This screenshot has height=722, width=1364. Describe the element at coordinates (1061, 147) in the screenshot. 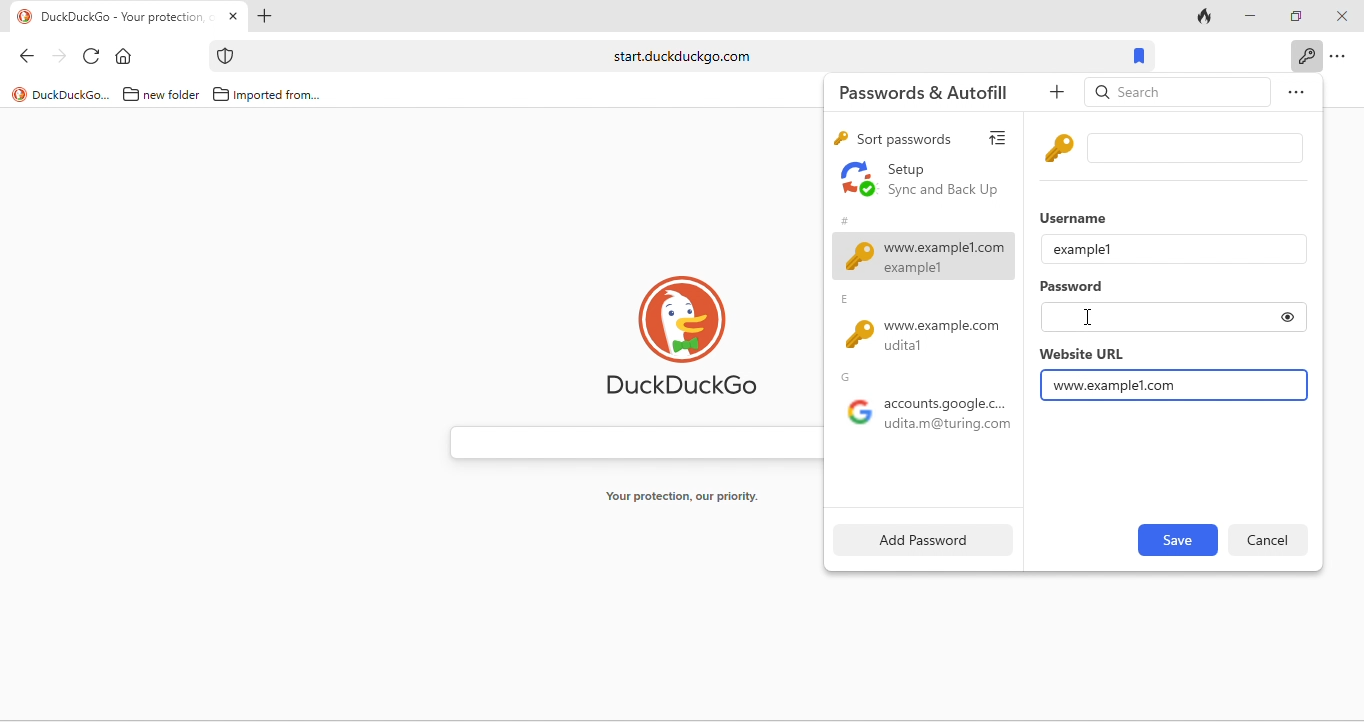

I see `key icon` at that location.